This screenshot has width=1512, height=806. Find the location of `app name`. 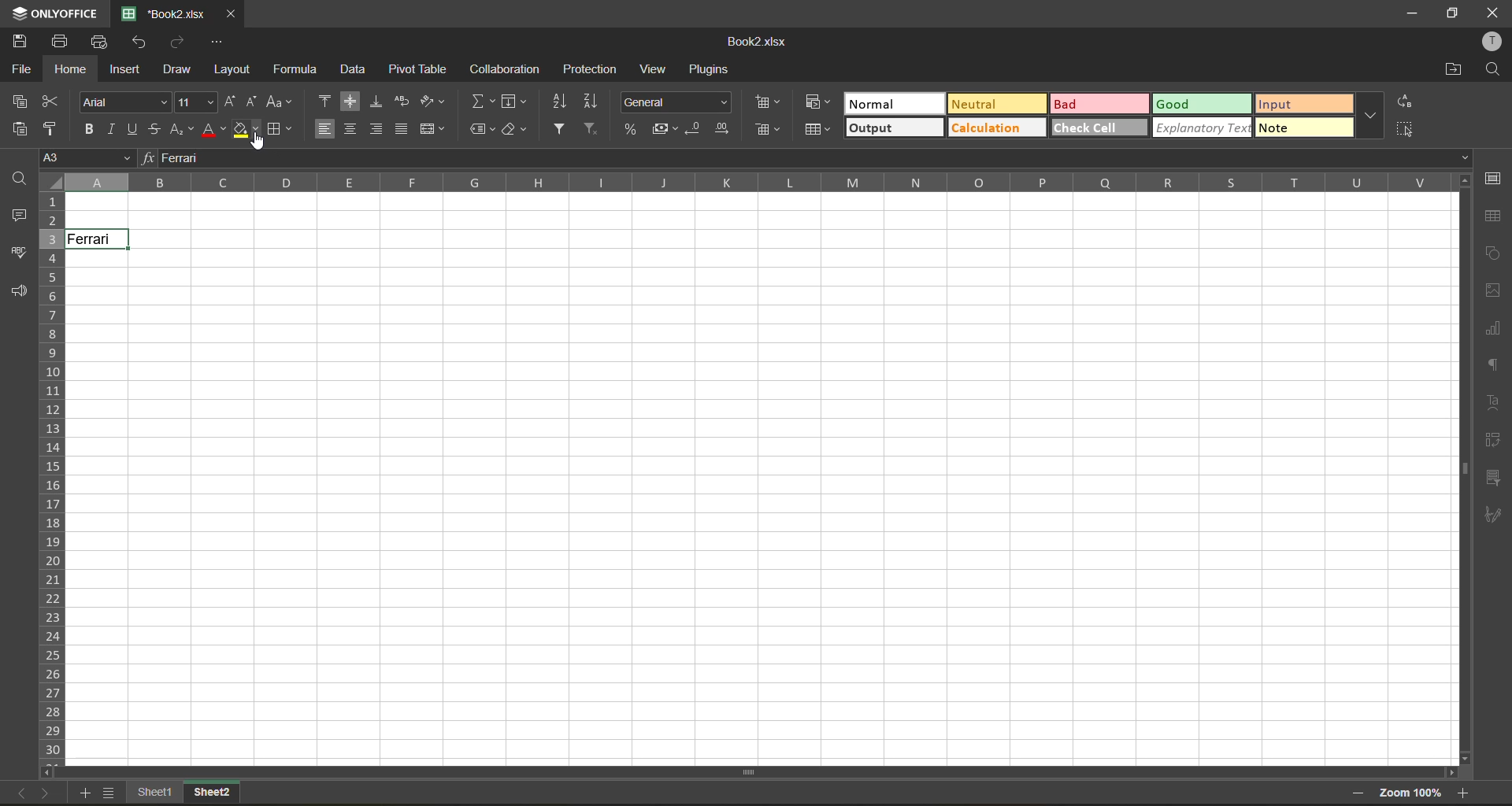

app name is located at coordinates (53, 12).